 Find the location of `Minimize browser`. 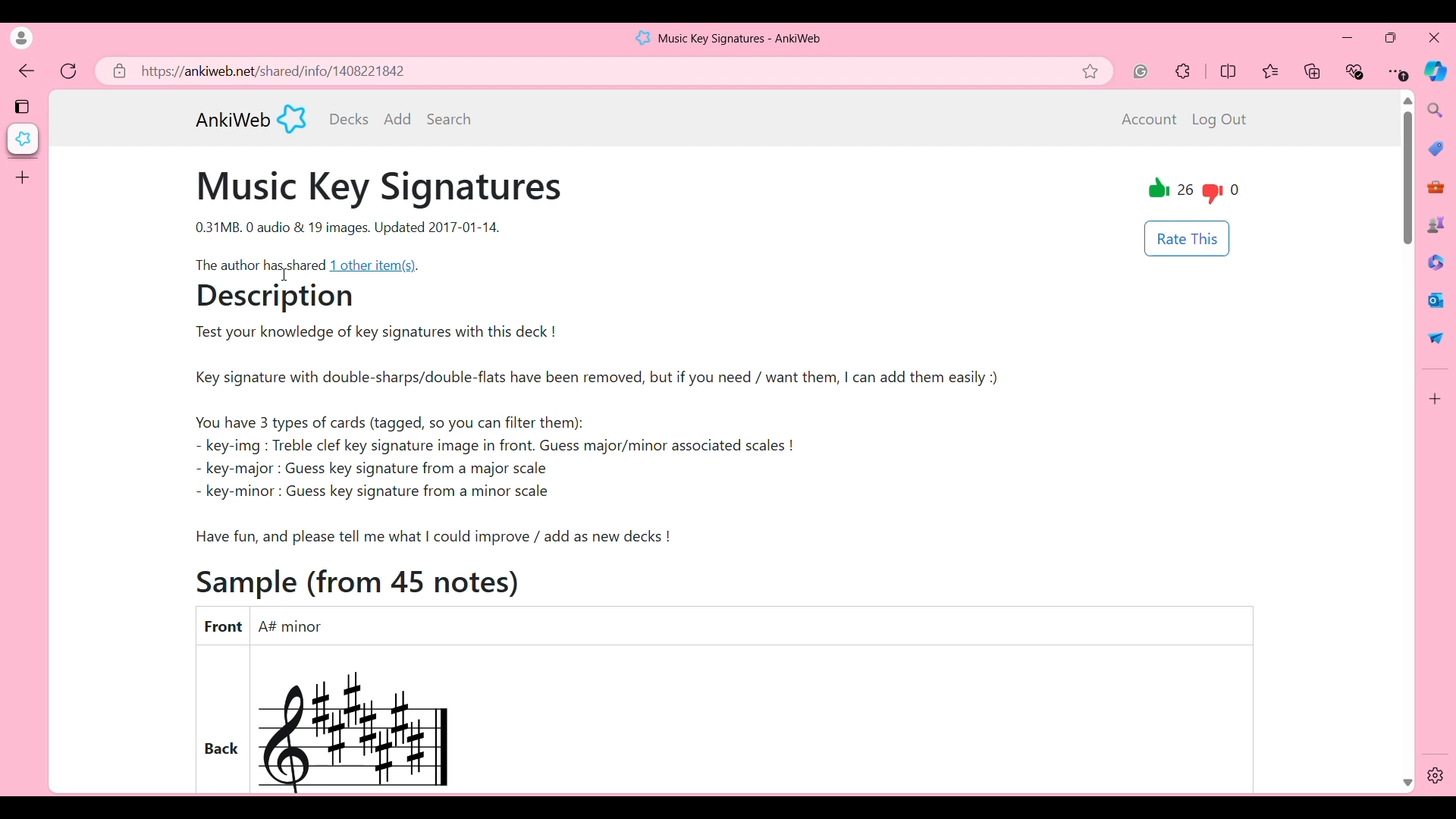

Minimize browser is located at coordinates (1347, 37).